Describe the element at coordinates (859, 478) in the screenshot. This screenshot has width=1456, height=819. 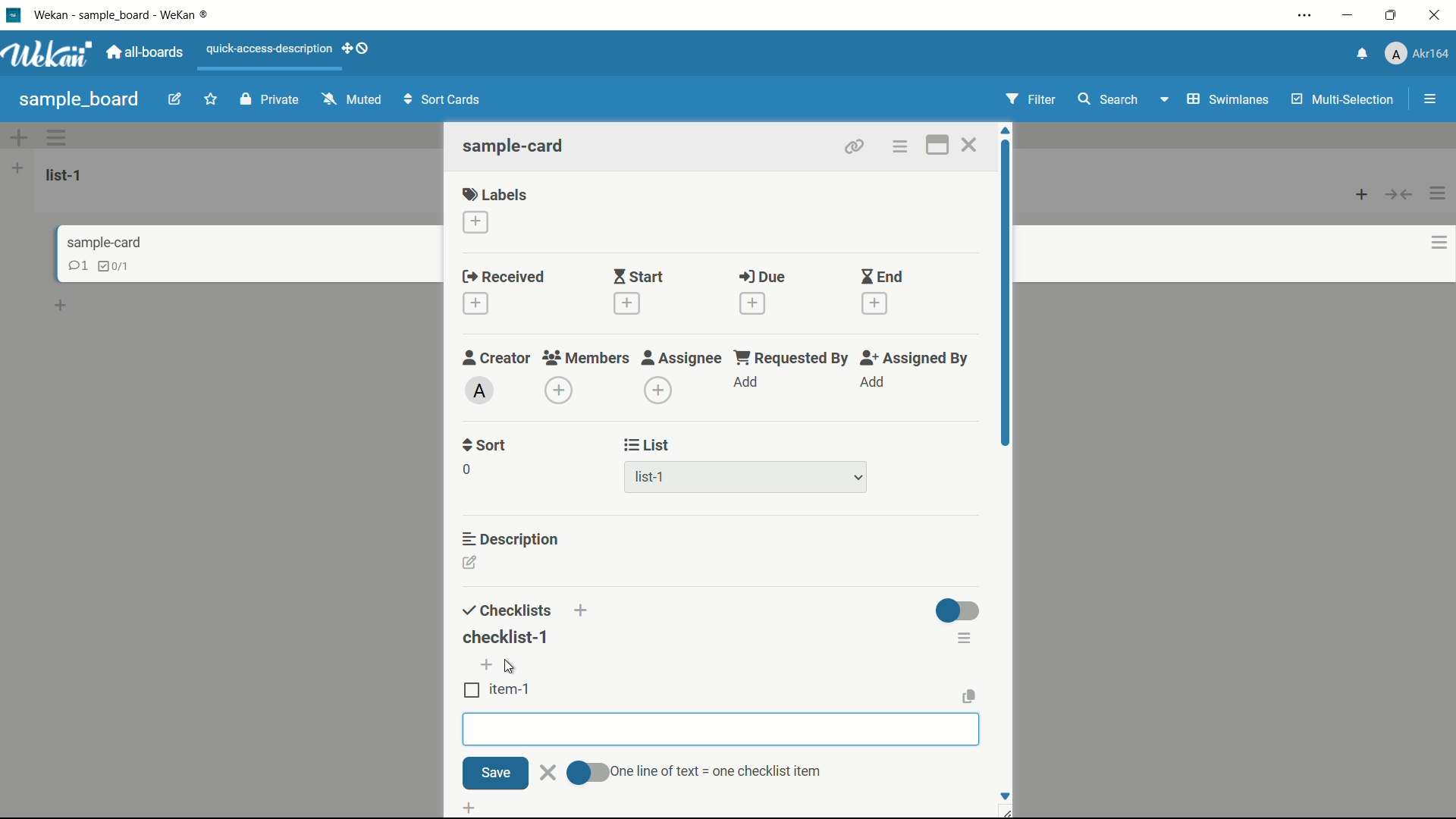
I see `dropdown` at that location.